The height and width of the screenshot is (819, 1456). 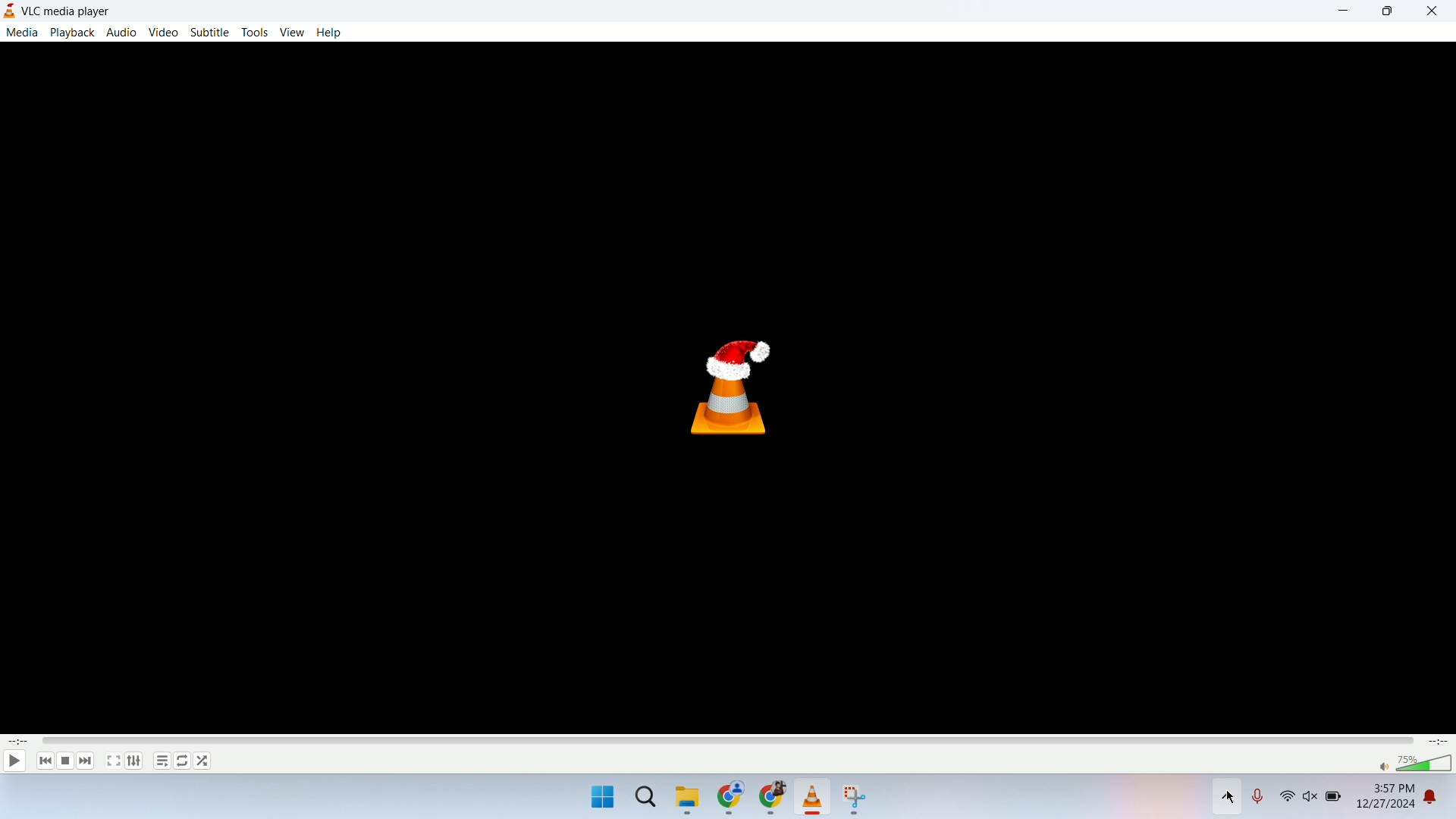 What do you see at coordinates (1387, 11) in the screenshot?
I see `maximize` at bounding box center [1387, 11].